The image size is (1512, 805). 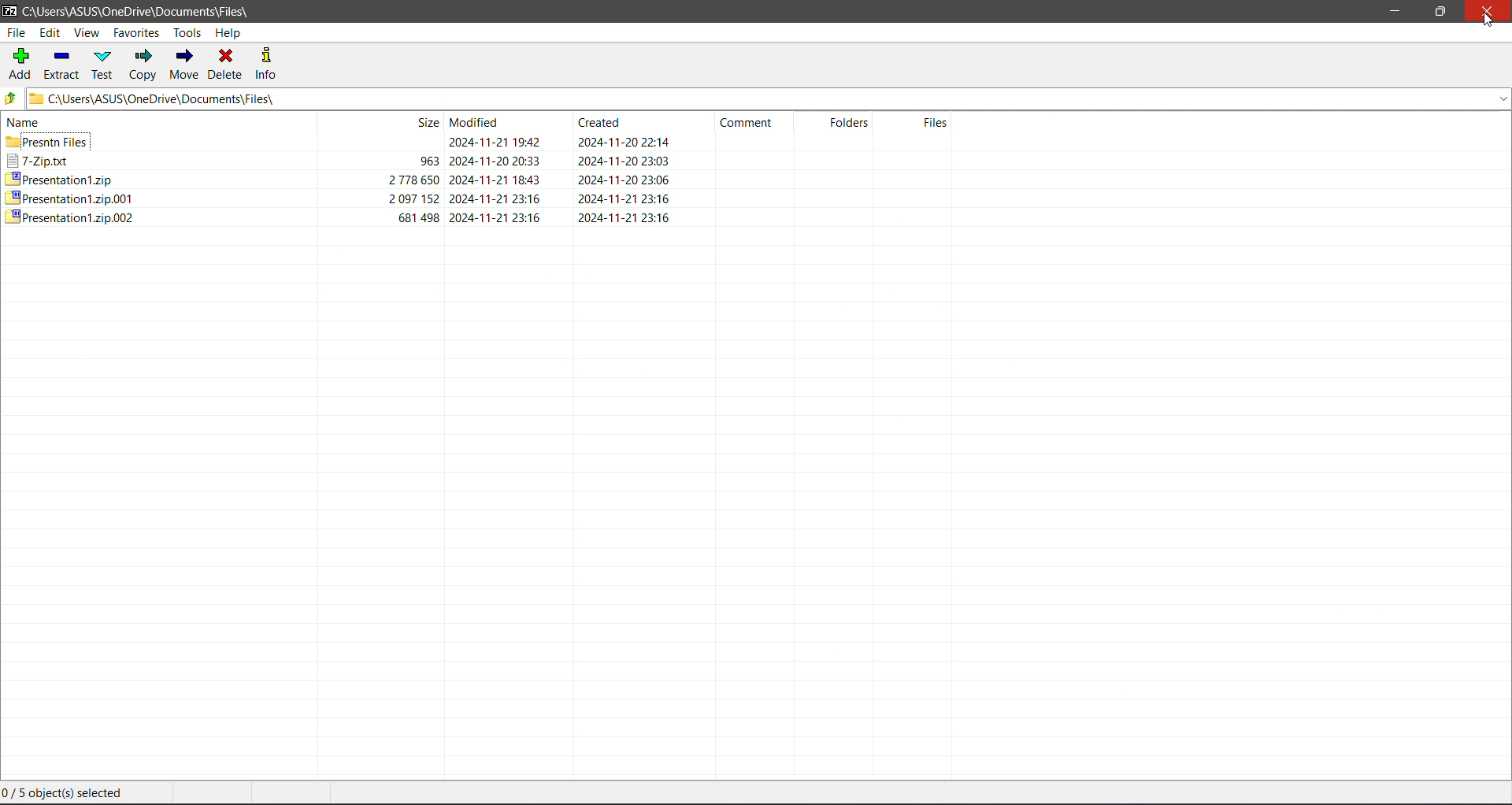 What do you see at coordinates (67, 197) in the screenshot?
I see `presentation1zip.001` at bounding box center [67, 197].